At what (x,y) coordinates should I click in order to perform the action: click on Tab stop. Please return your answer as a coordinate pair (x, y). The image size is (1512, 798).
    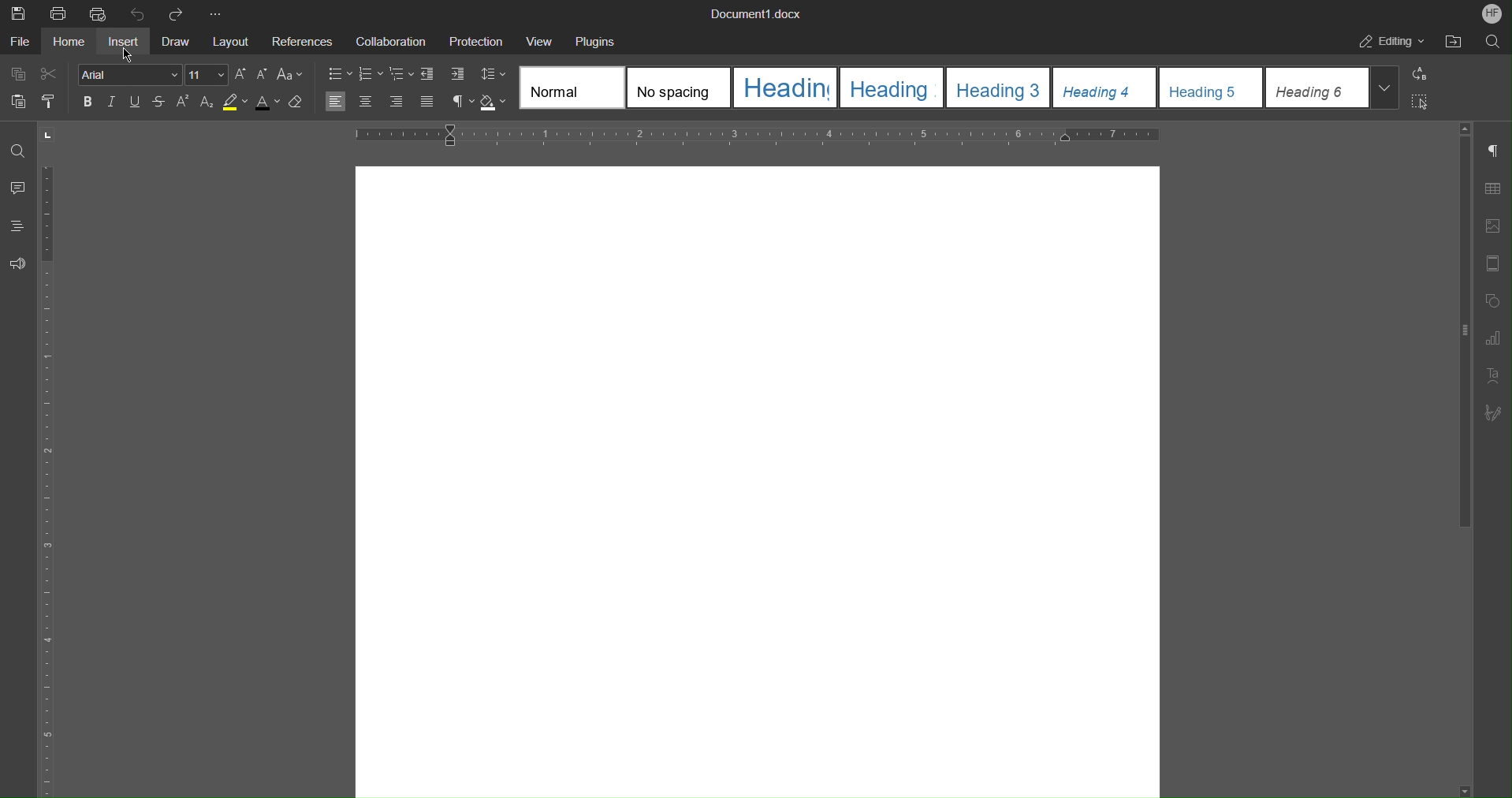
    Looking at the image, I should click on (49, 135).